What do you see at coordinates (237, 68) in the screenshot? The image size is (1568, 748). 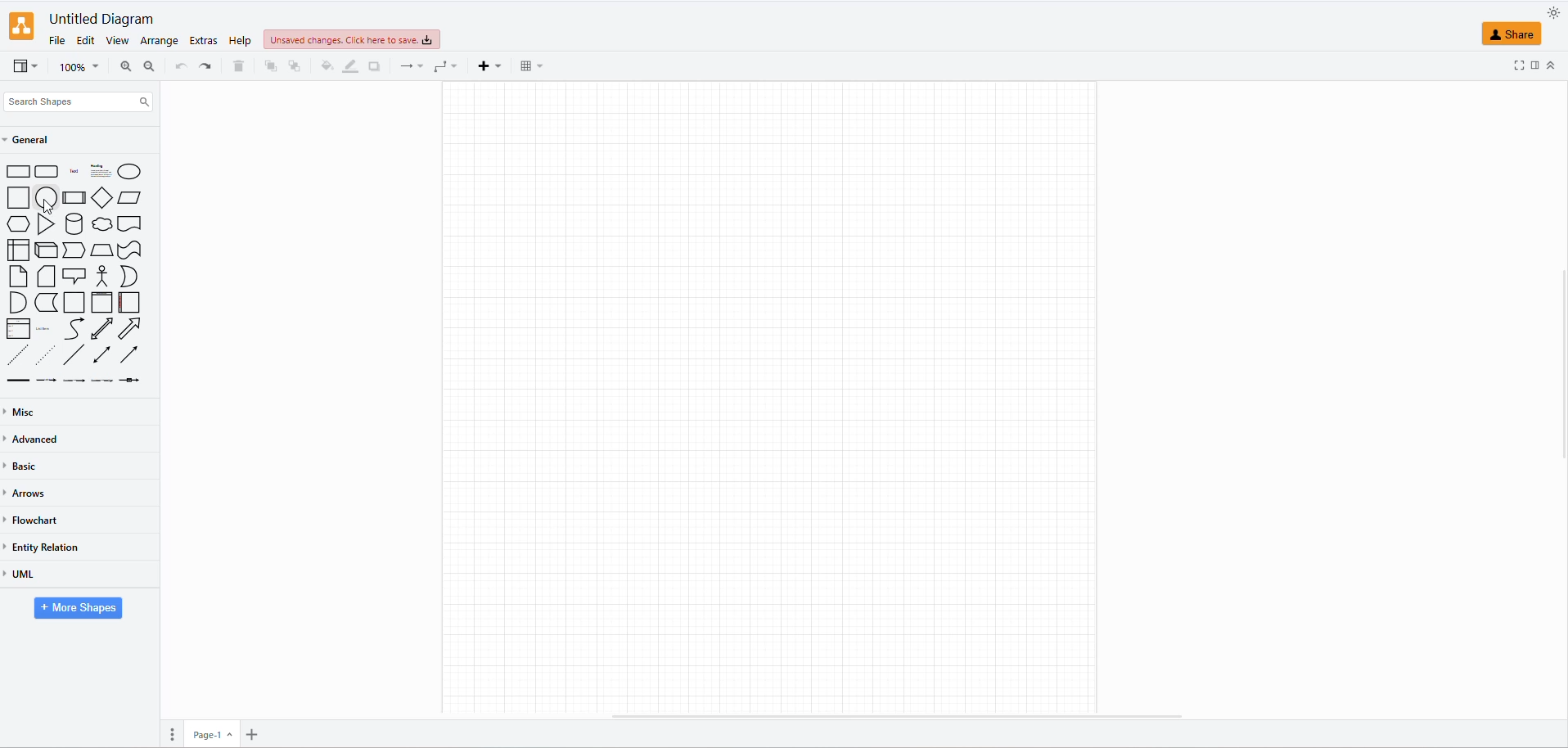 I see `DELETE` at bounding box center [237, 68].